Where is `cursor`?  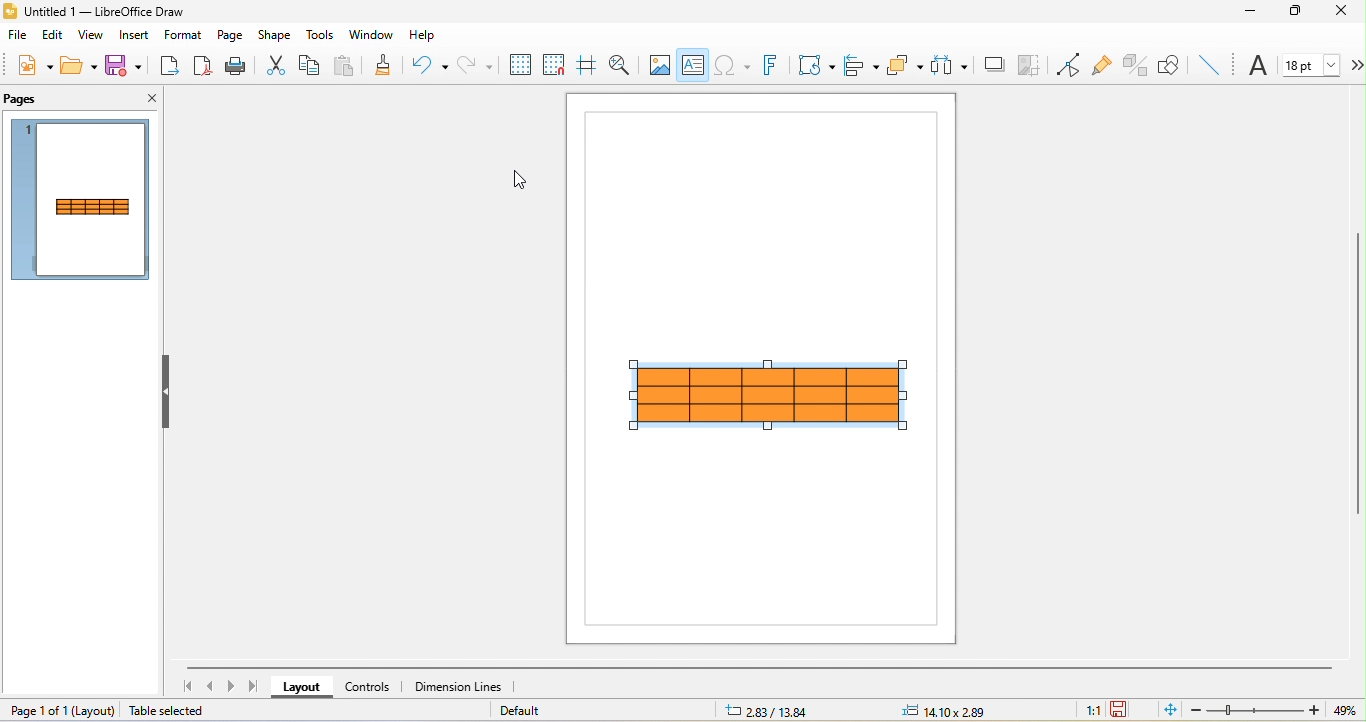 cursor is located at coordinates (526, 179).